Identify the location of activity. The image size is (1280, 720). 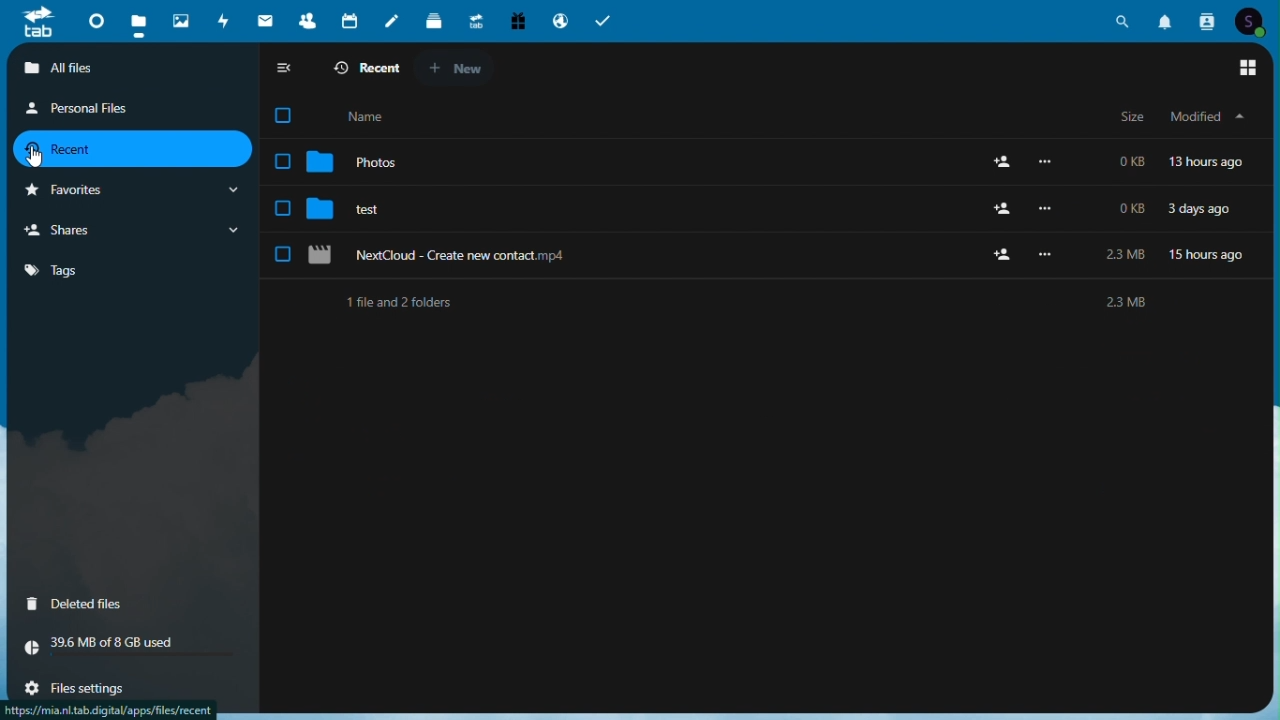
(221, 19).